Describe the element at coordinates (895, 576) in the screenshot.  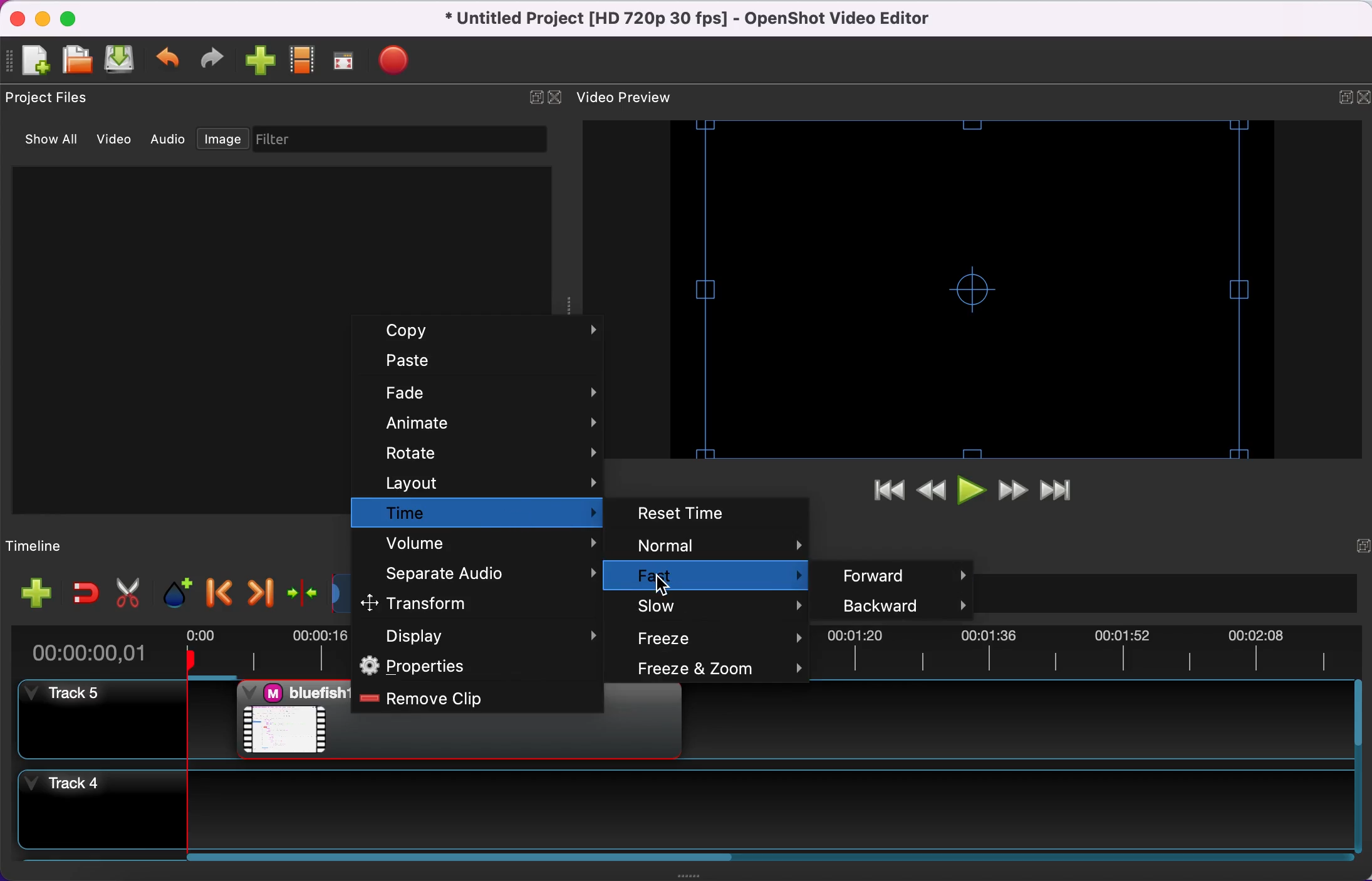
I see `forward` at that location.